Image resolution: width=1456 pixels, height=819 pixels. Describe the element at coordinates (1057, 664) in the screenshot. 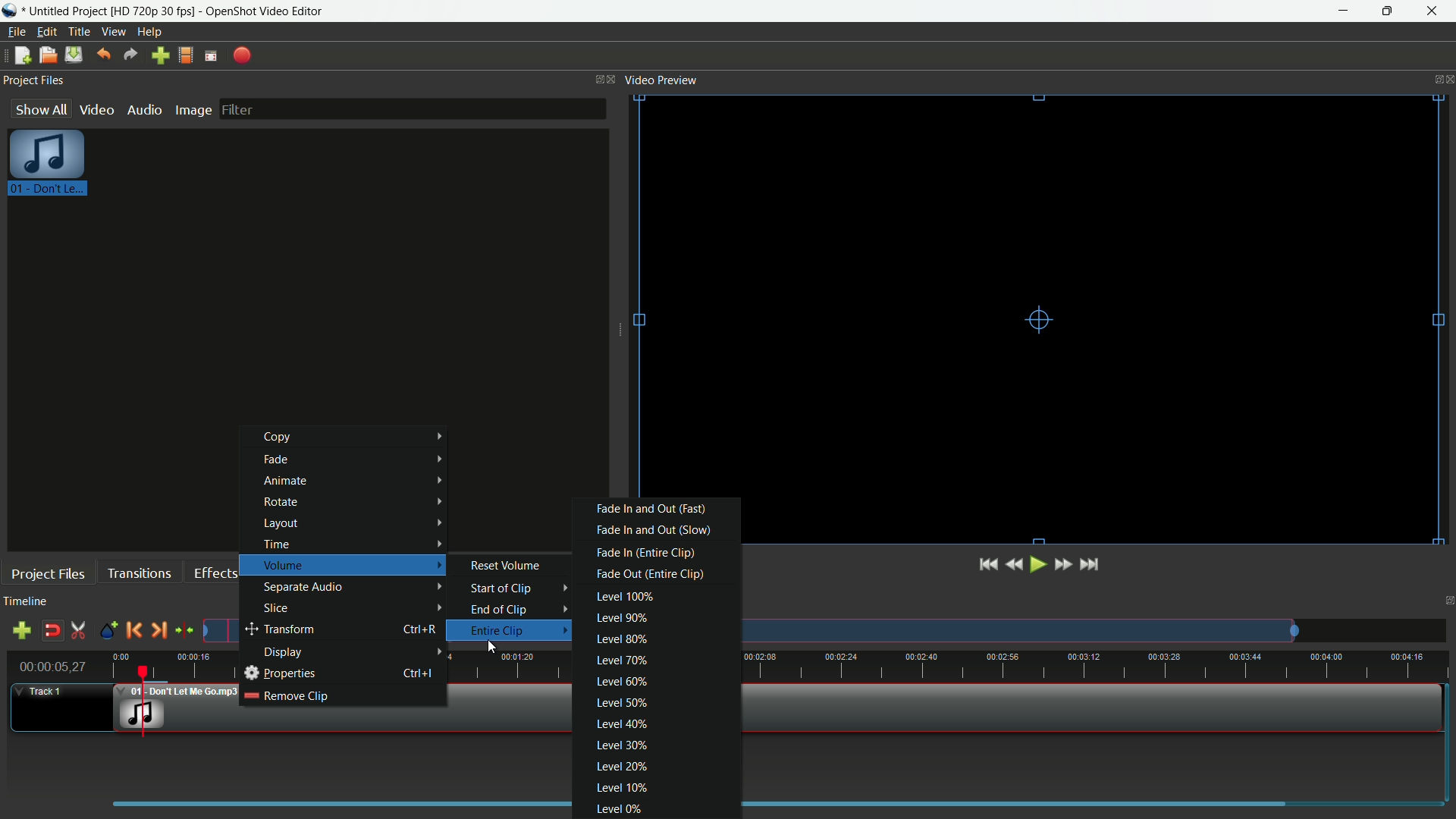

I see `time` at that location.